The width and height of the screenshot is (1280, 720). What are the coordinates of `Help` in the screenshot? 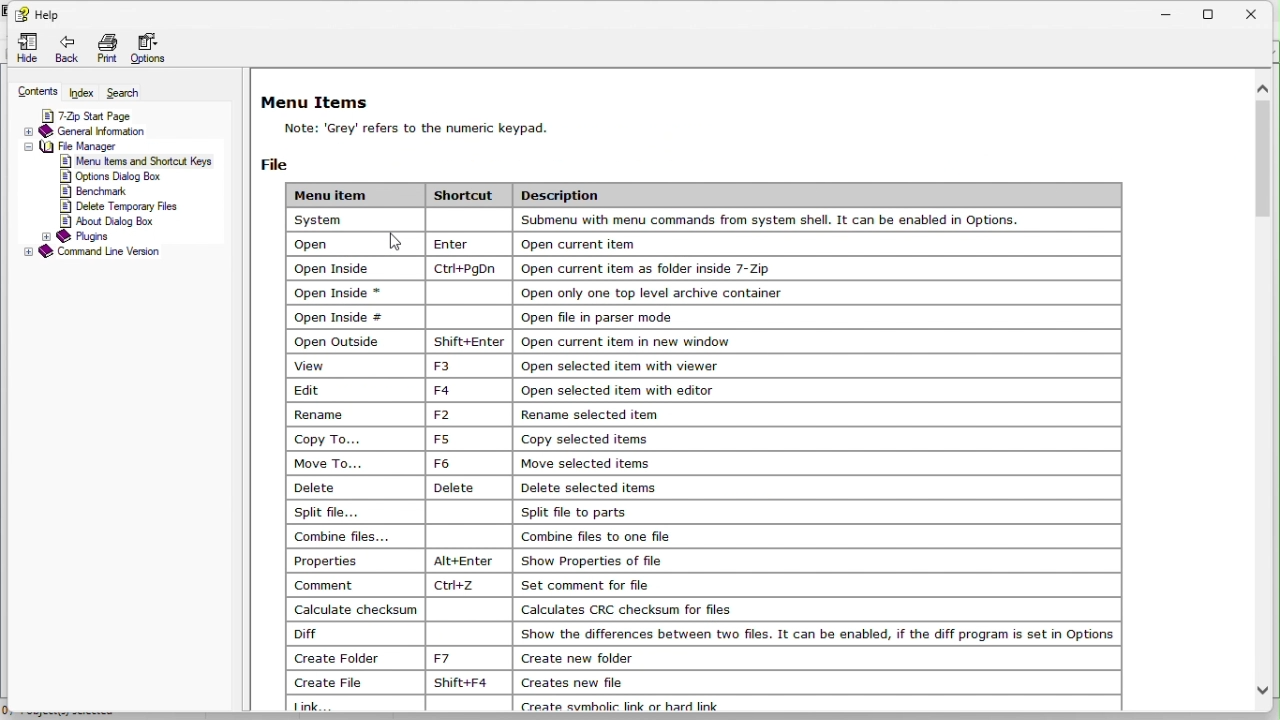 It's located at (39, 15).